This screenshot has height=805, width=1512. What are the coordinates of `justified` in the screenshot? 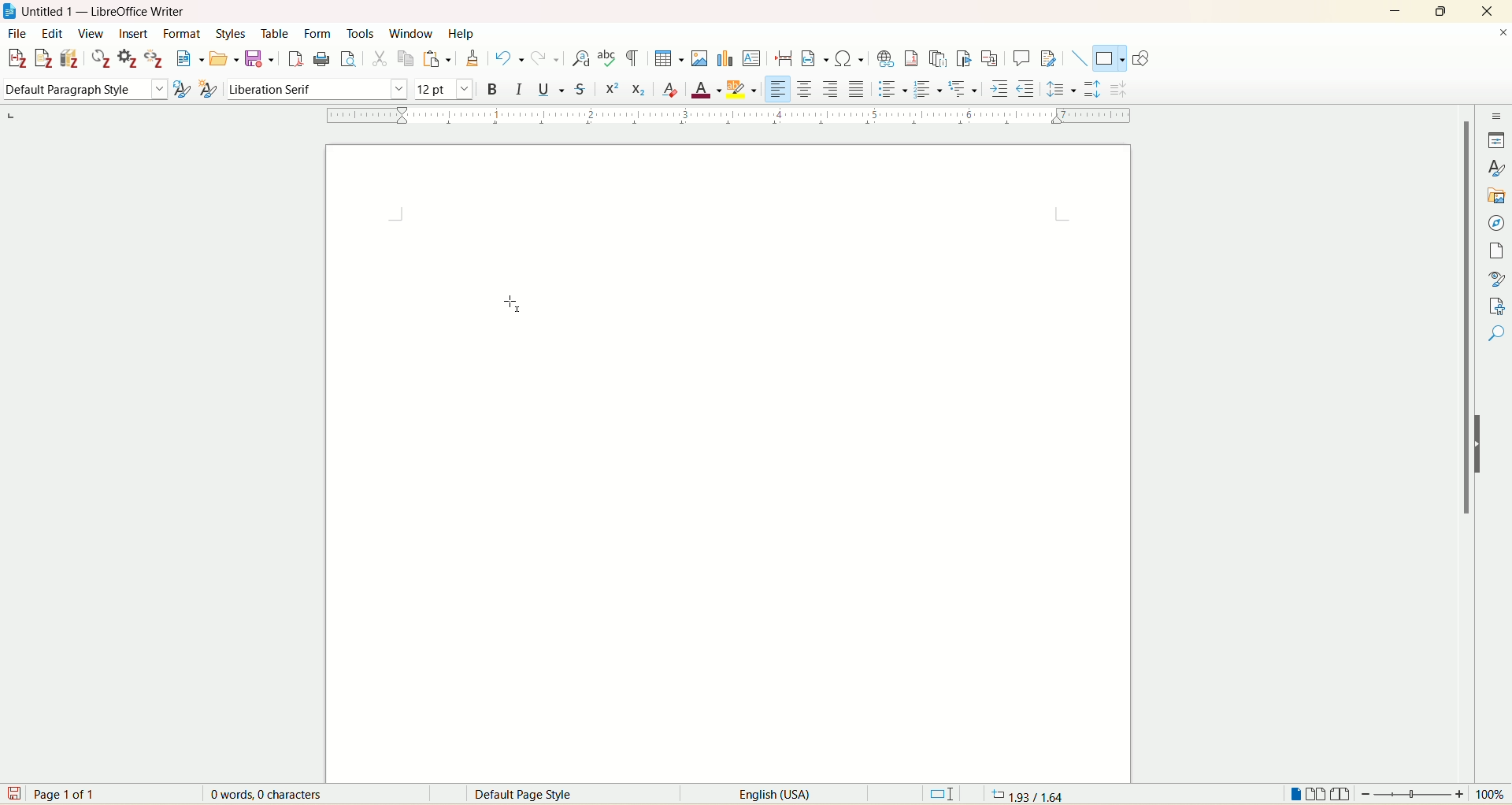 It's located at (858, 89).